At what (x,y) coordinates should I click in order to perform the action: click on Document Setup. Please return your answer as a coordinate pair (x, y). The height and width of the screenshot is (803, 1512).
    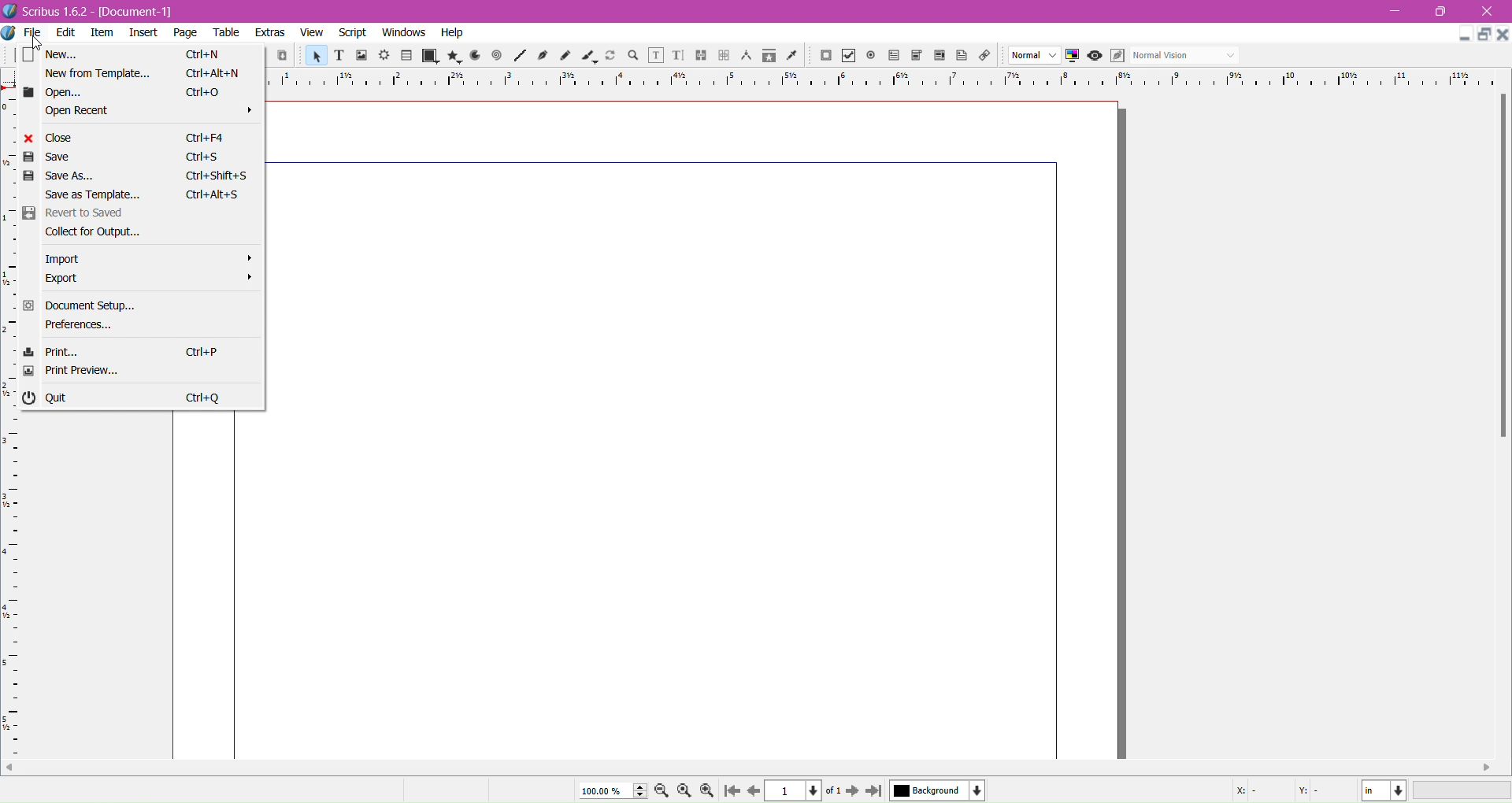
    Looking at the image, I should click on (111, 305).